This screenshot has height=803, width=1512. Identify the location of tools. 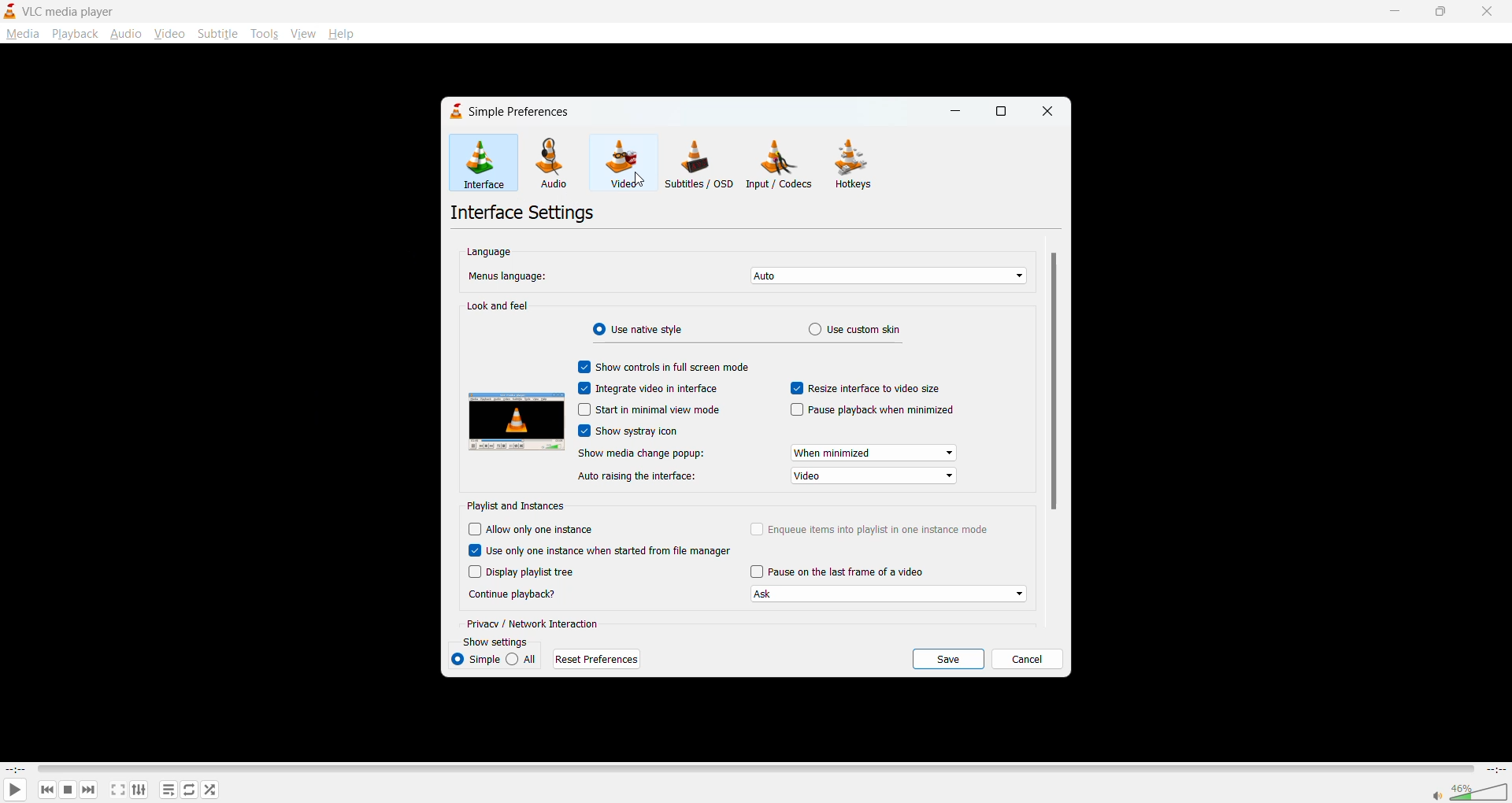
(264, 35).